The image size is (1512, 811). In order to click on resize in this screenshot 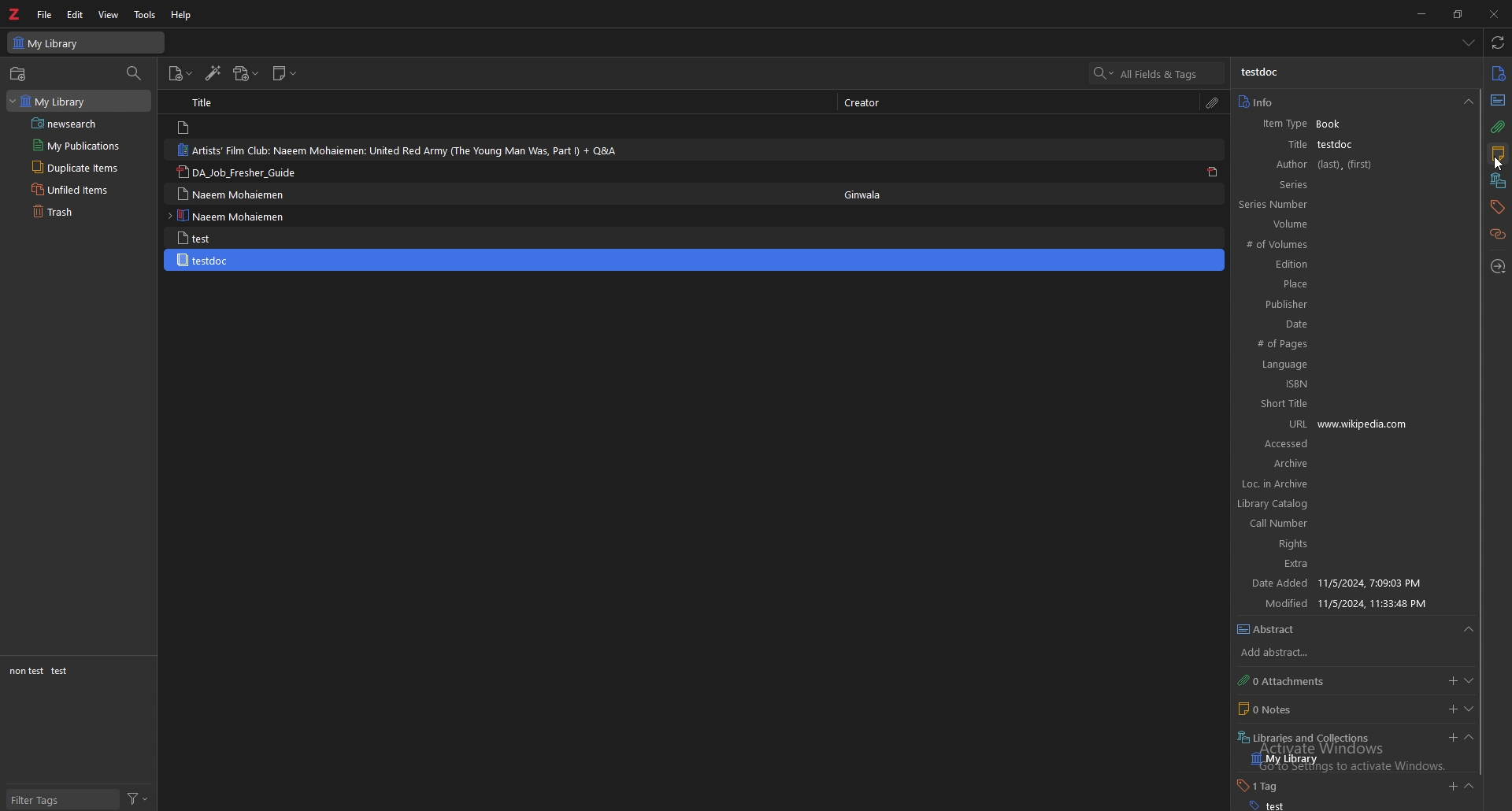, I will do `click(1457, 14)`.